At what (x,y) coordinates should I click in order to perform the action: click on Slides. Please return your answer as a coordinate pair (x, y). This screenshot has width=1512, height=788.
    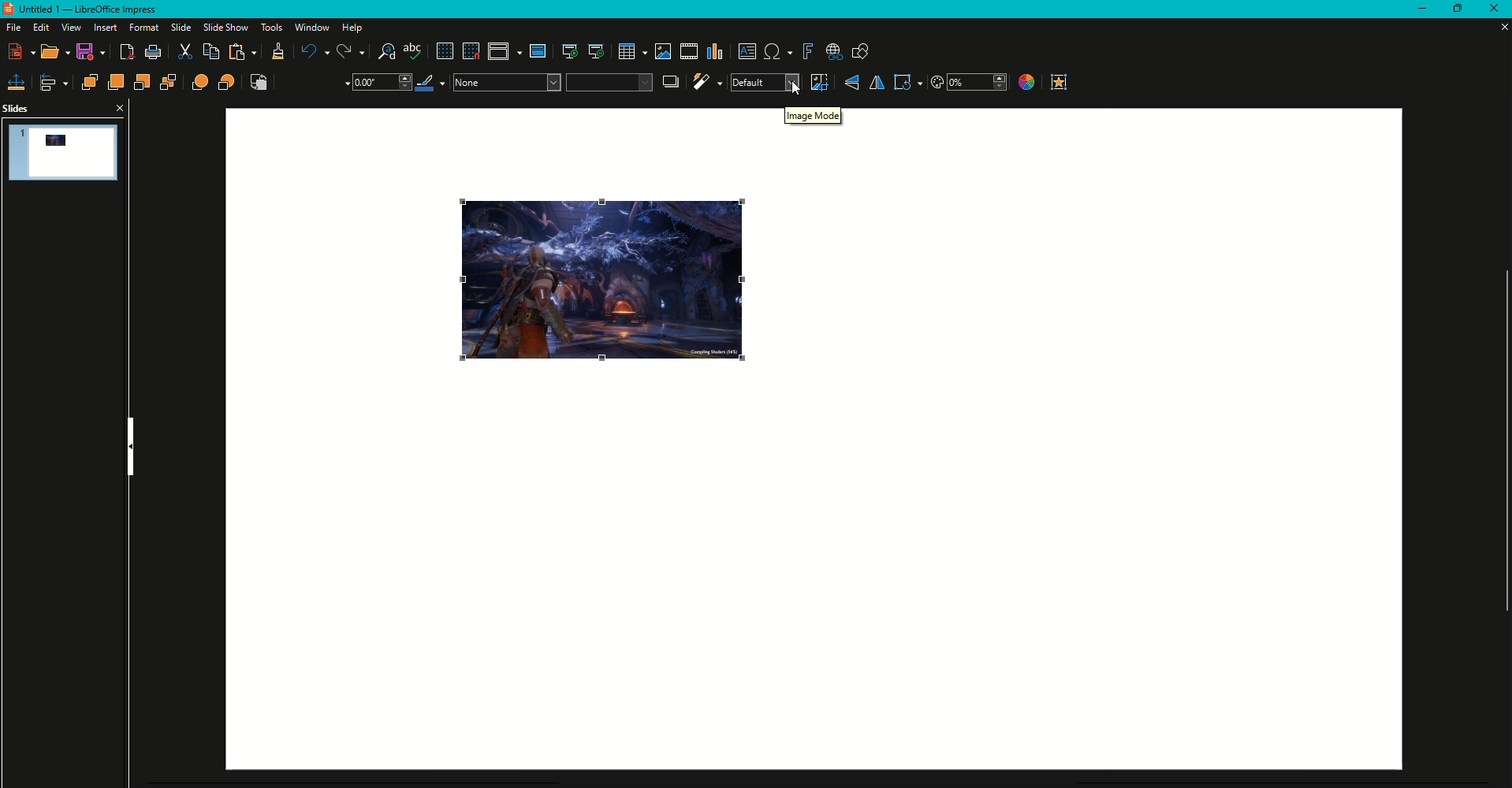
    Looking at the image, I should click on (17, 109).